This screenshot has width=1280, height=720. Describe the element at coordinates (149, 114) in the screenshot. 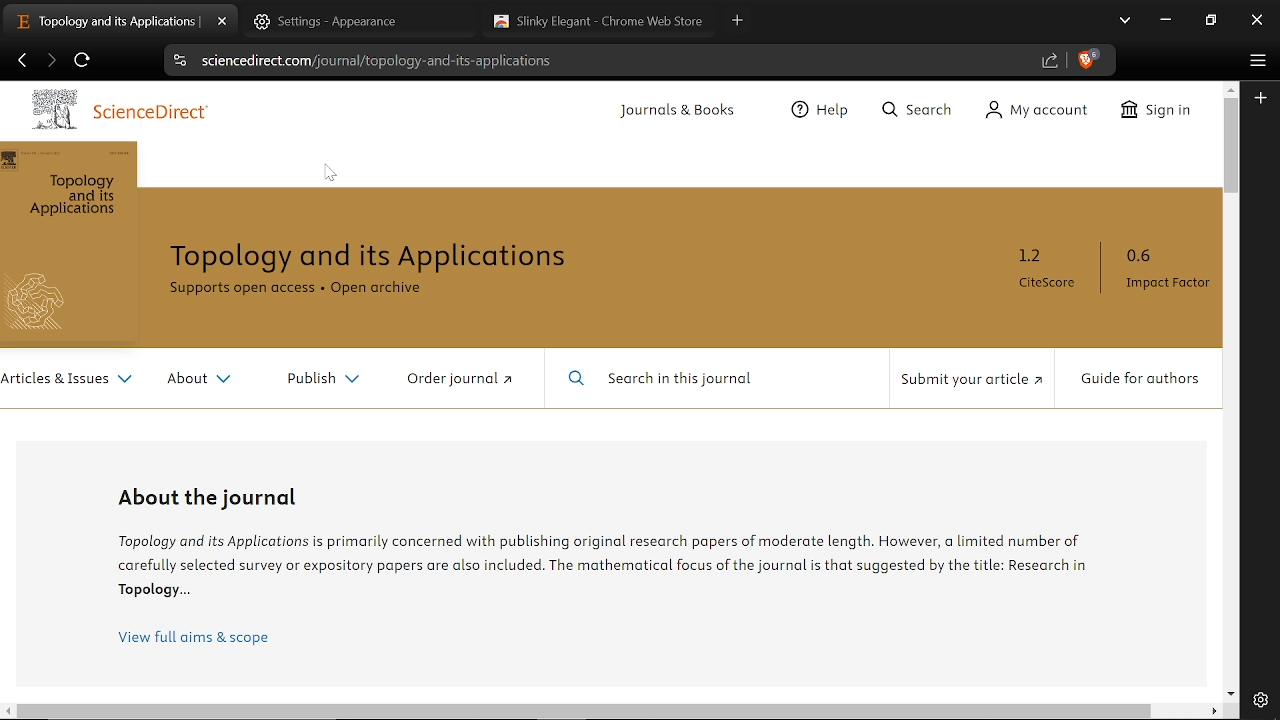

I see `ScienceDirect` at that location.